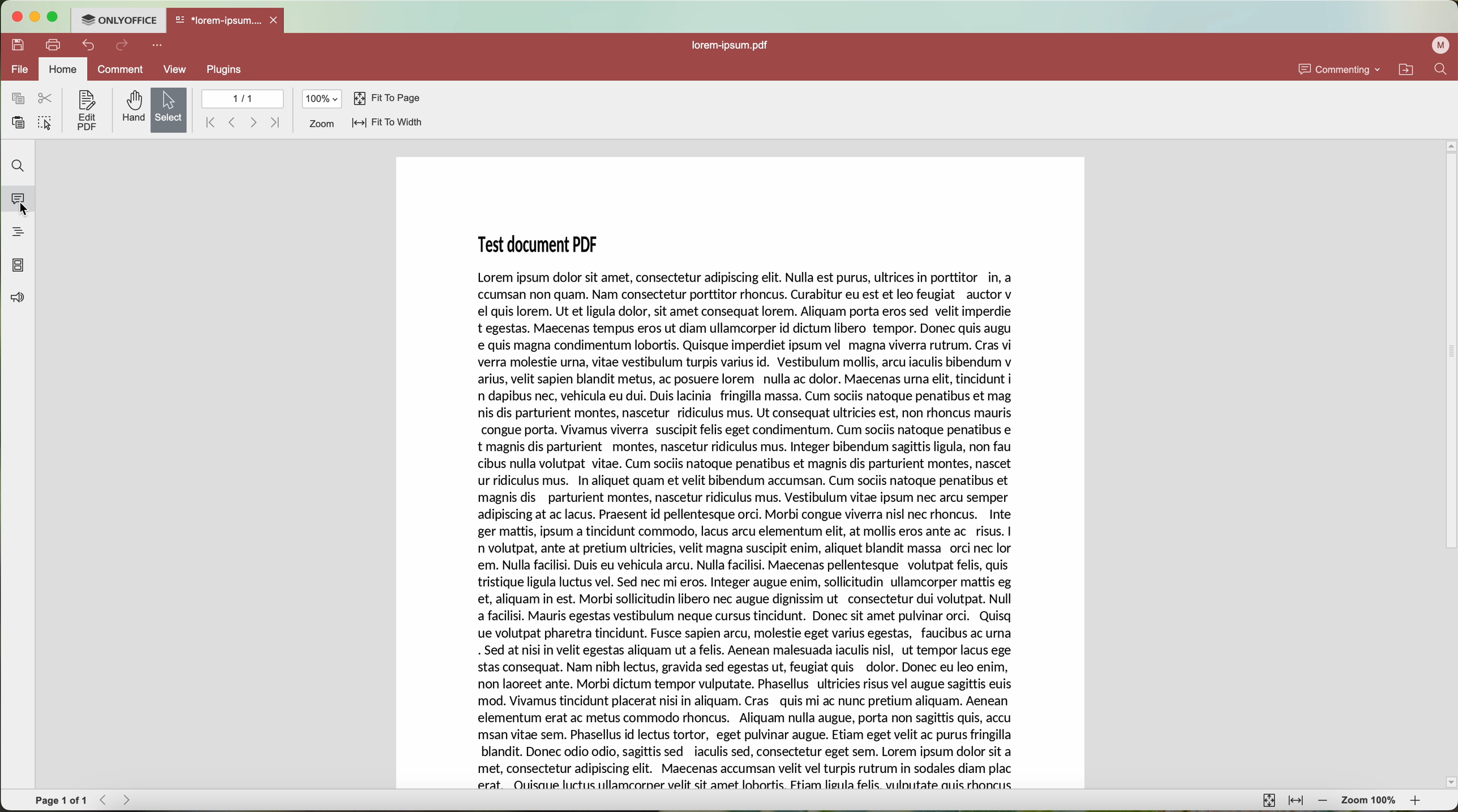  What do you see at coordinates (85, 111) in the screenshot?
I see `edit PDF` at bounding box center [85, 111].